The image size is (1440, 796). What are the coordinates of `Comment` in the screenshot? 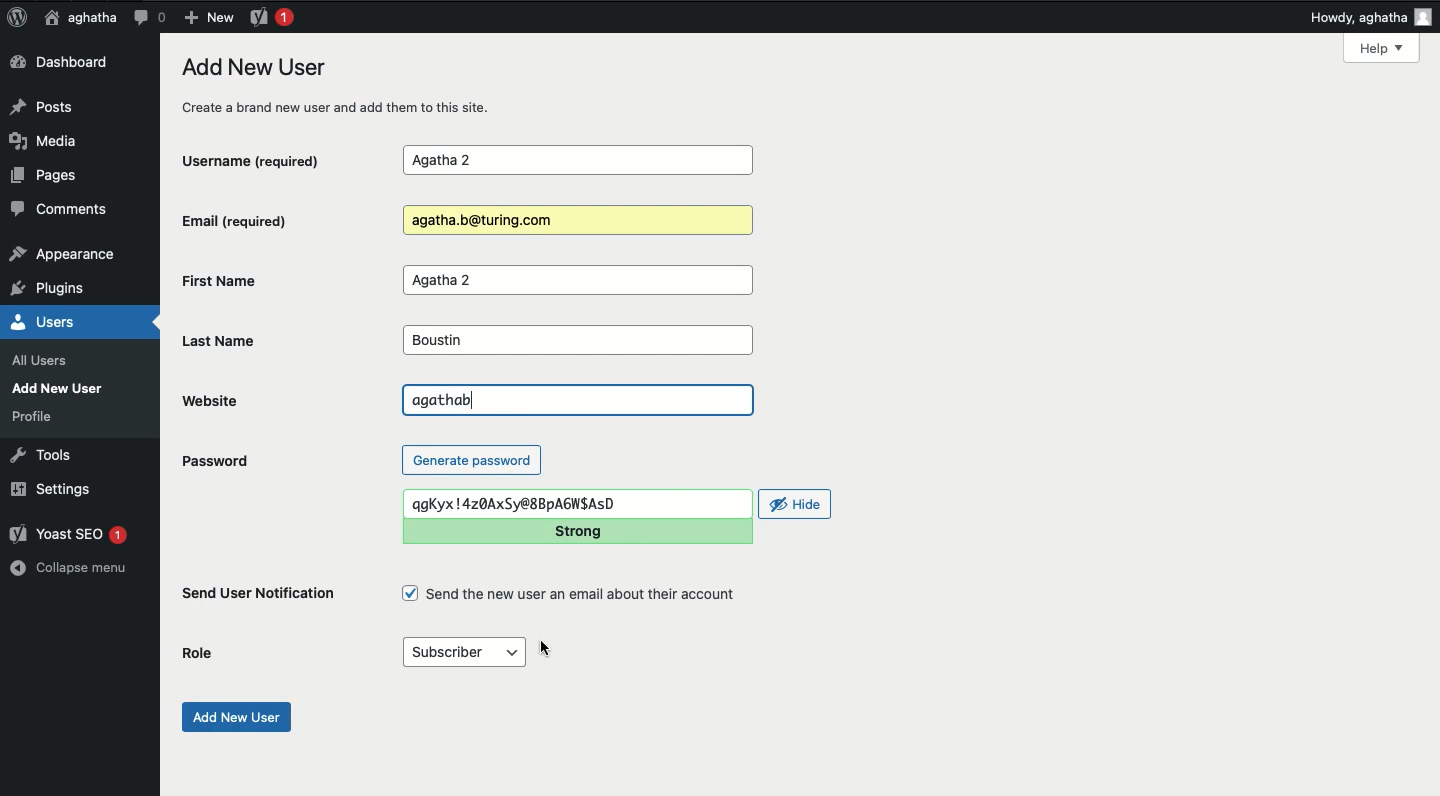 It's located at (149, 17).